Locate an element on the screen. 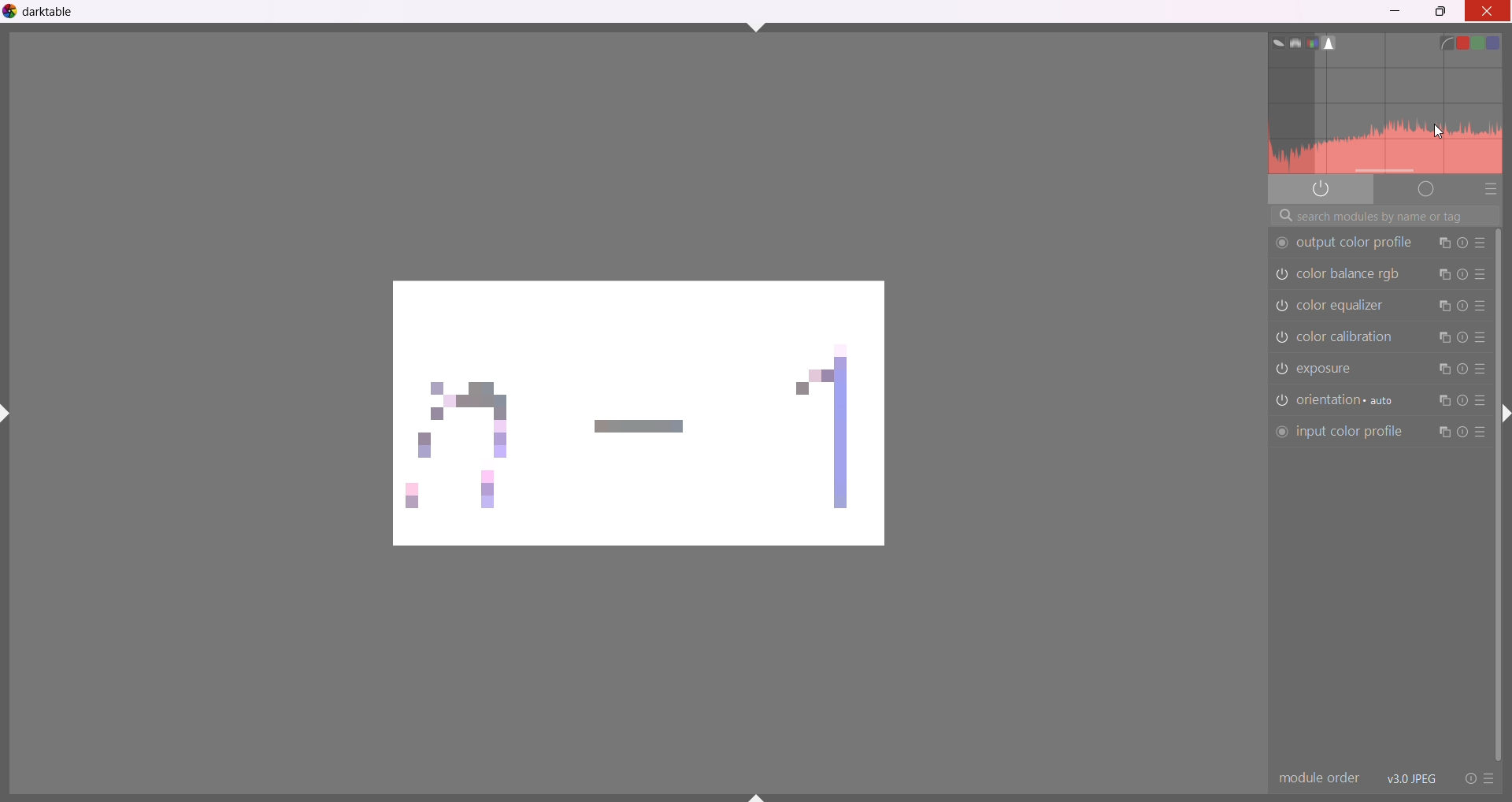 This screenshot has height=802, width=1512. deprecated is located at coordinates (1425, 191).